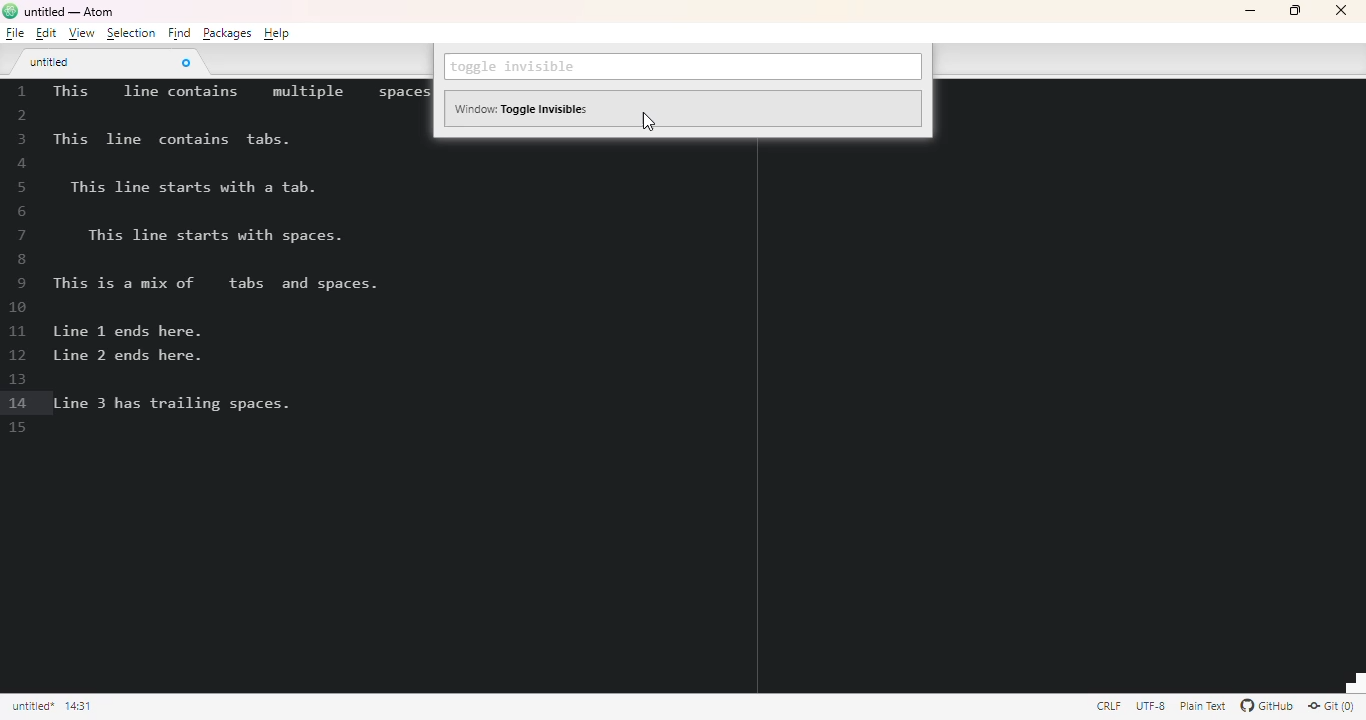 The image size is (1366, 720). Describe the element at coordinates (1205, 706) in the screenshot. I see `file uses the plain text grammar` at that location.